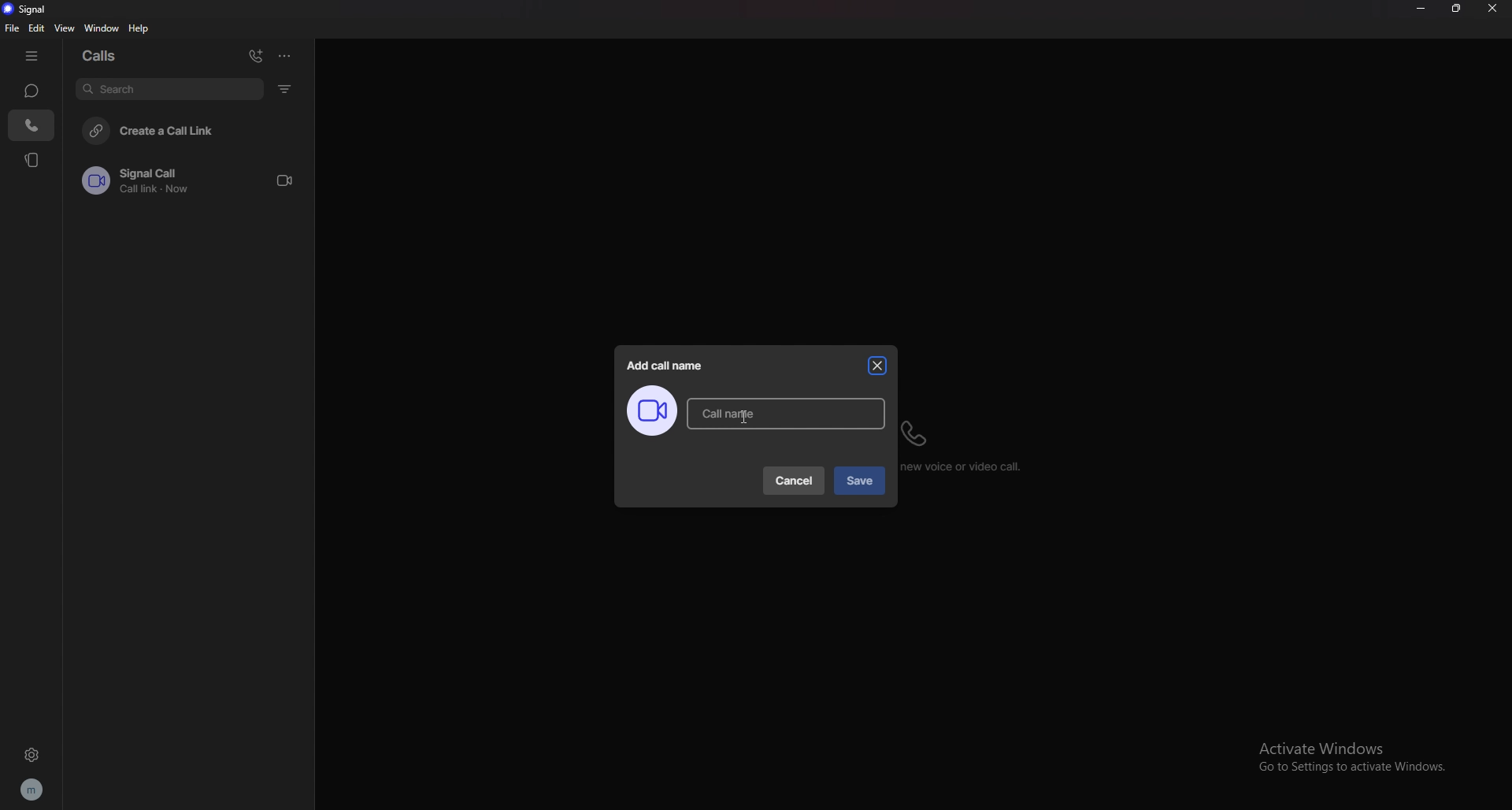 The height and width of the screenshot is (810, 1512). Describe the element at coordinates (795, 481) in the screenshot. I see `cancel` at that location.